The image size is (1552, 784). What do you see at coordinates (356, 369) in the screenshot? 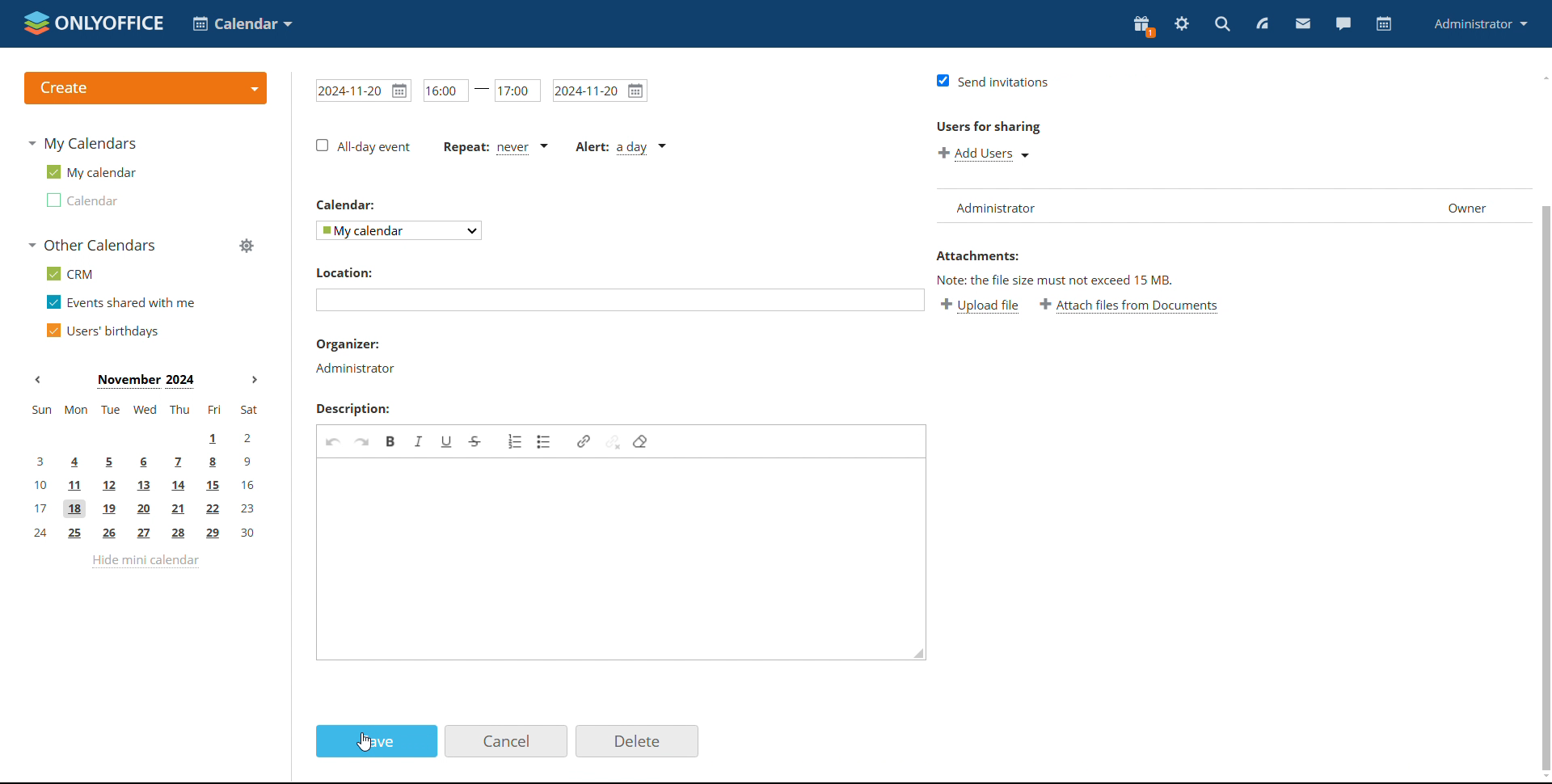
I see `organiser` at bounding box center [356, 369].